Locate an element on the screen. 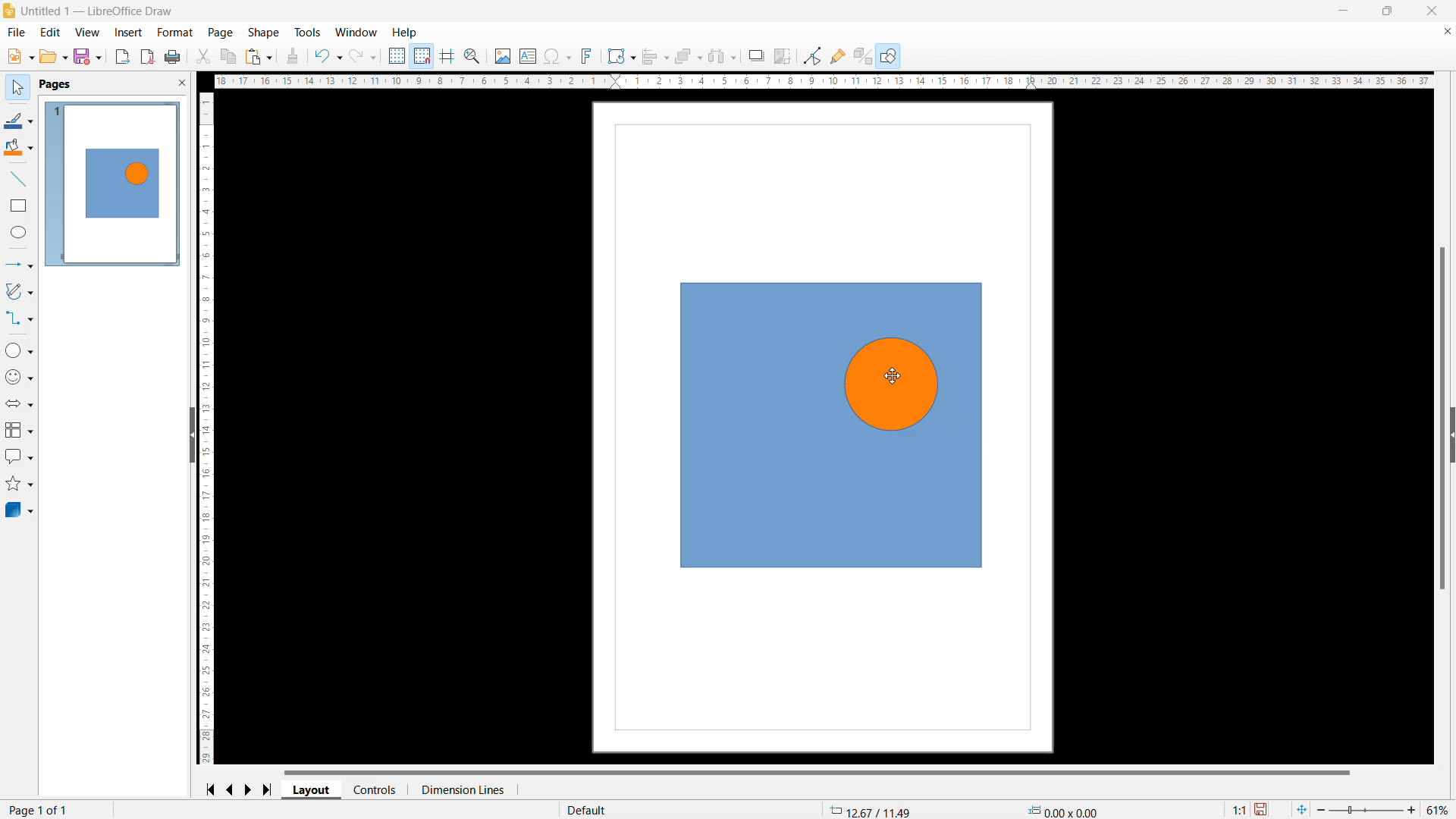 Image resolution: width=1456 pixels, height=819 pixels. connectors is located at coordinates (19, 318).